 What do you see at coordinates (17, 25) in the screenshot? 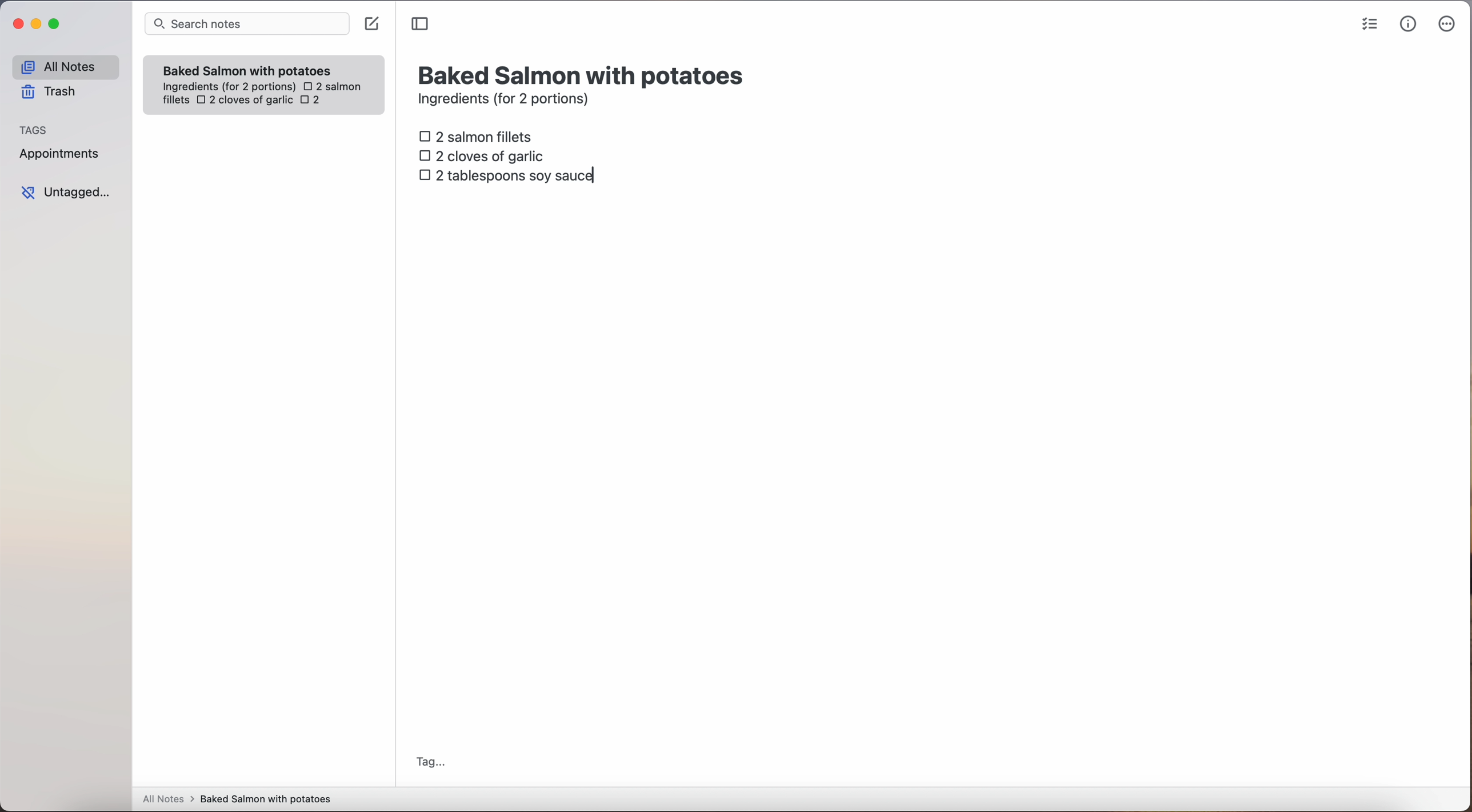
I see `close Simplenote` at bounding box center [17, 25].